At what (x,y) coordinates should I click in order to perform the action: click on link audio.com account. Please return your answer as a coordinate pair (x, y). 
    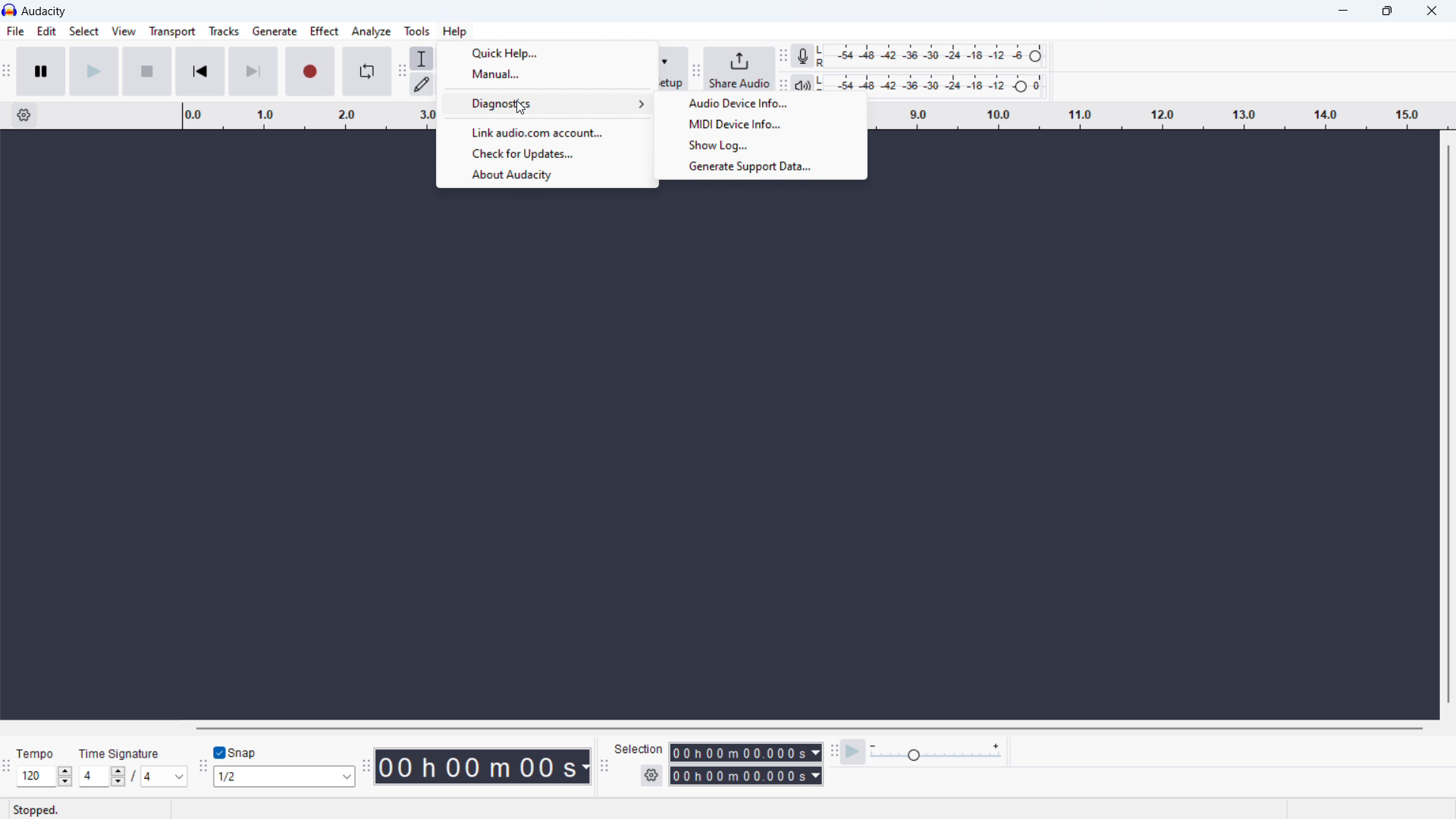
    Looking at the image, I should click on (547, 132).